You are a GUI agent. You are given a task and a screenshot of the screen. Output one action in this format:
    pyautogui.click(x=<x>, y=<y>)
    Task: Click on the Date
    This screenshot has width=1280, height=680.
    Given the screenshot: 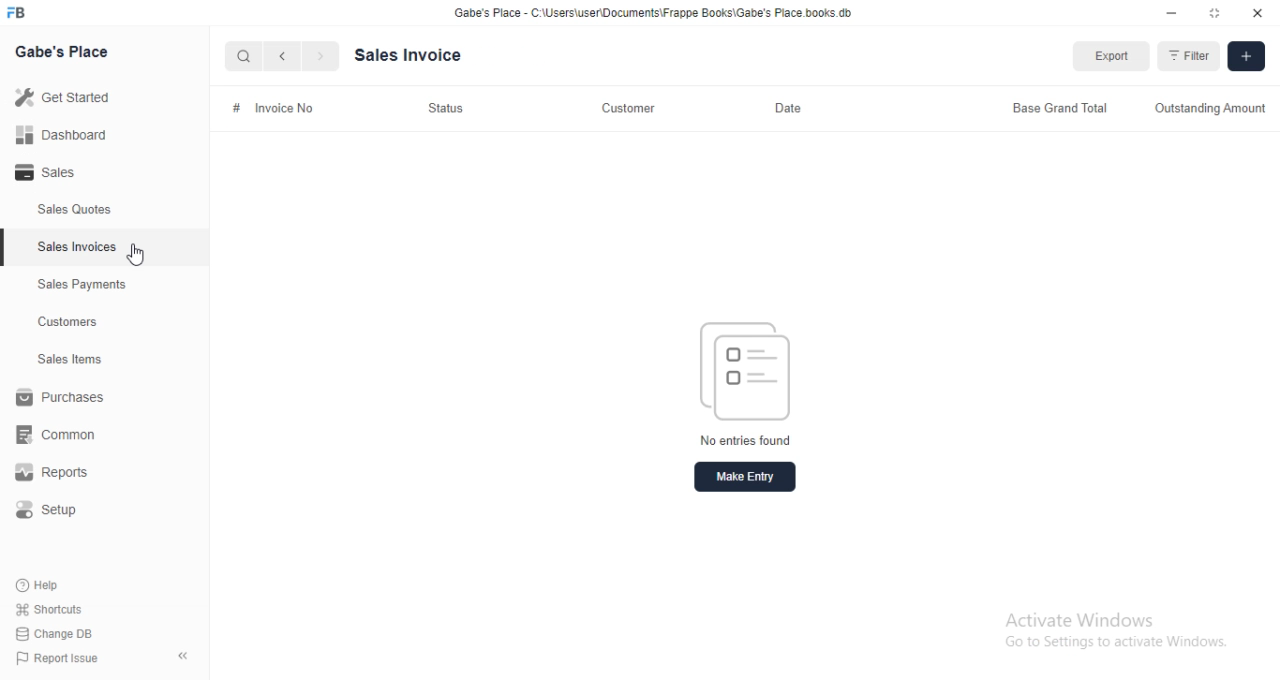 What is the action you would take?
    pyautogui.click(x=789, y=109)
    